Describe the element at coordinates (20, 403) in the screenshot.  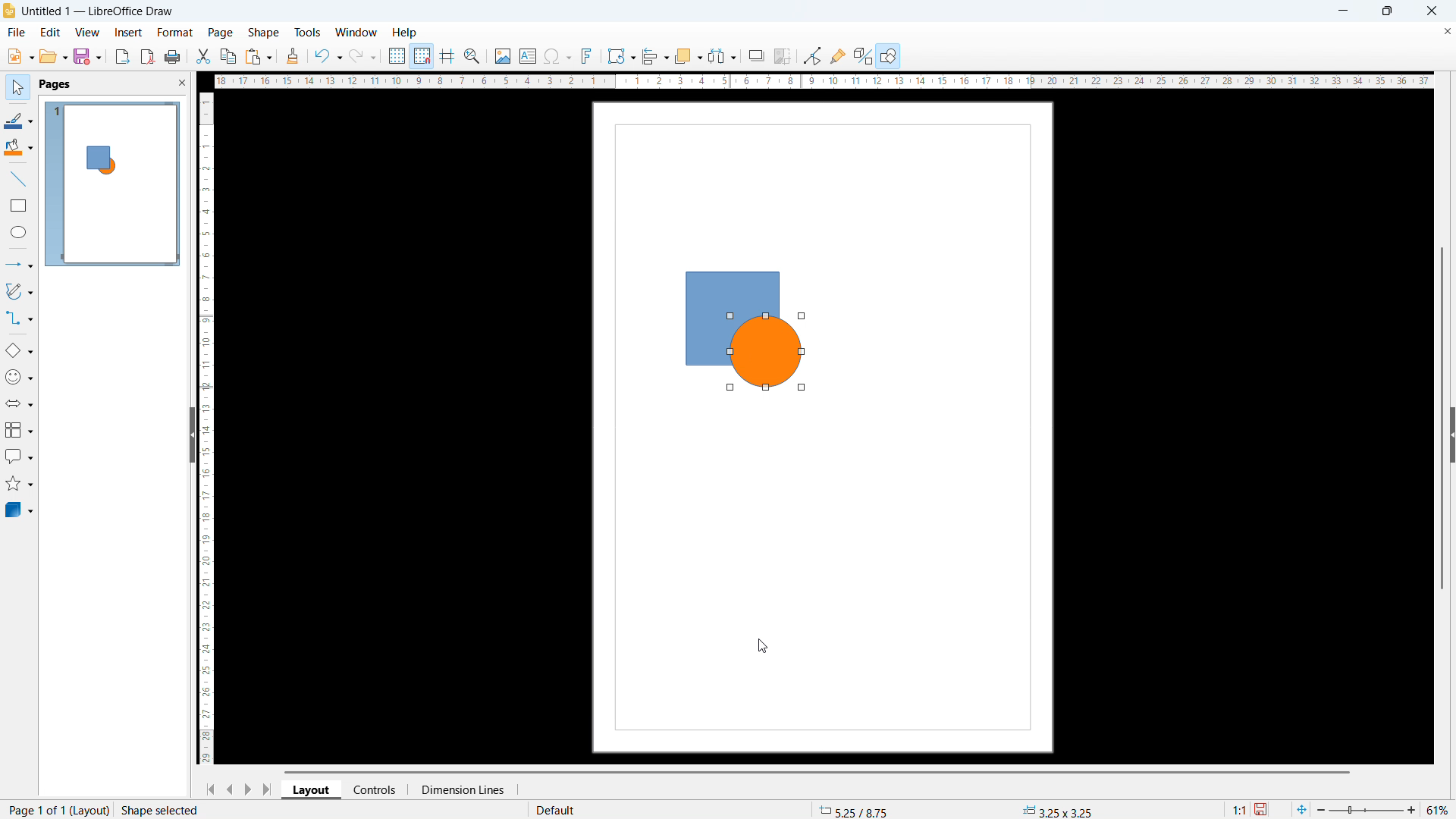
I see `Block arrows ` at that location.